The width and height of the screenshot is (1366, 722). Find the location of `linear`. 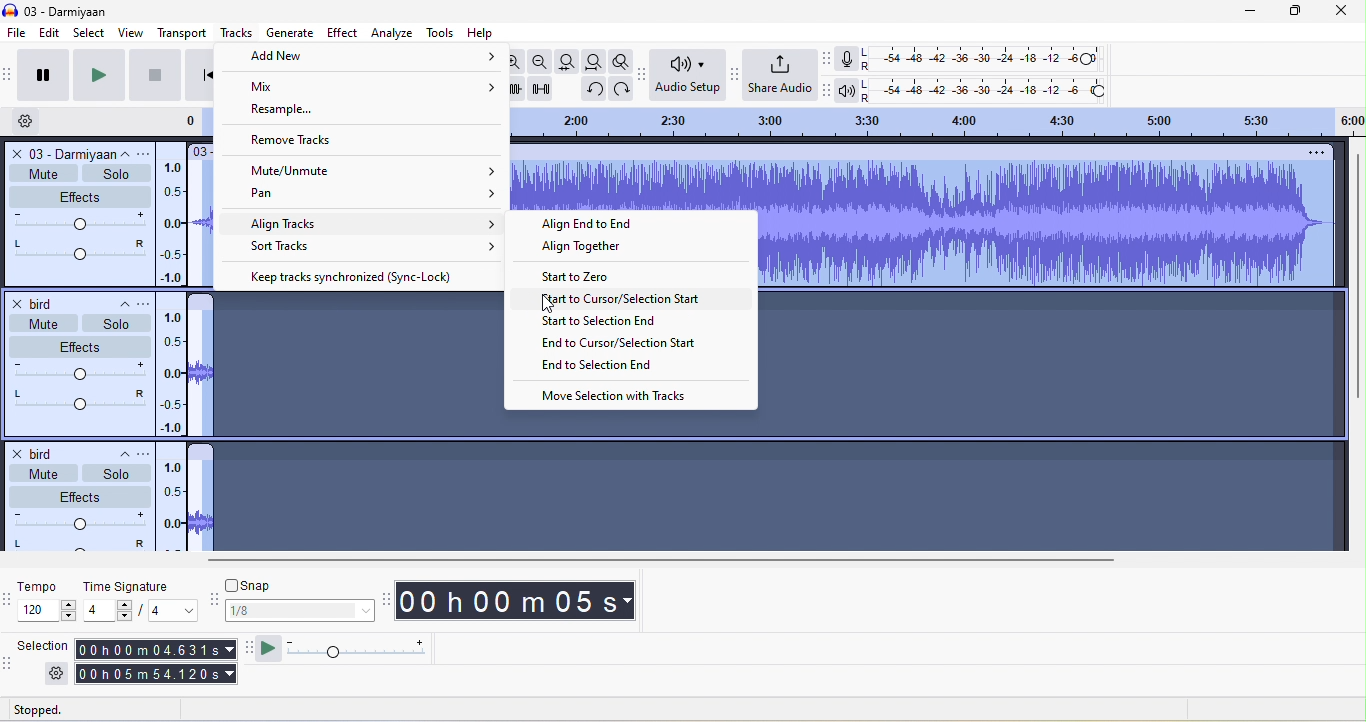

linear is located at coordinates (174, 216).